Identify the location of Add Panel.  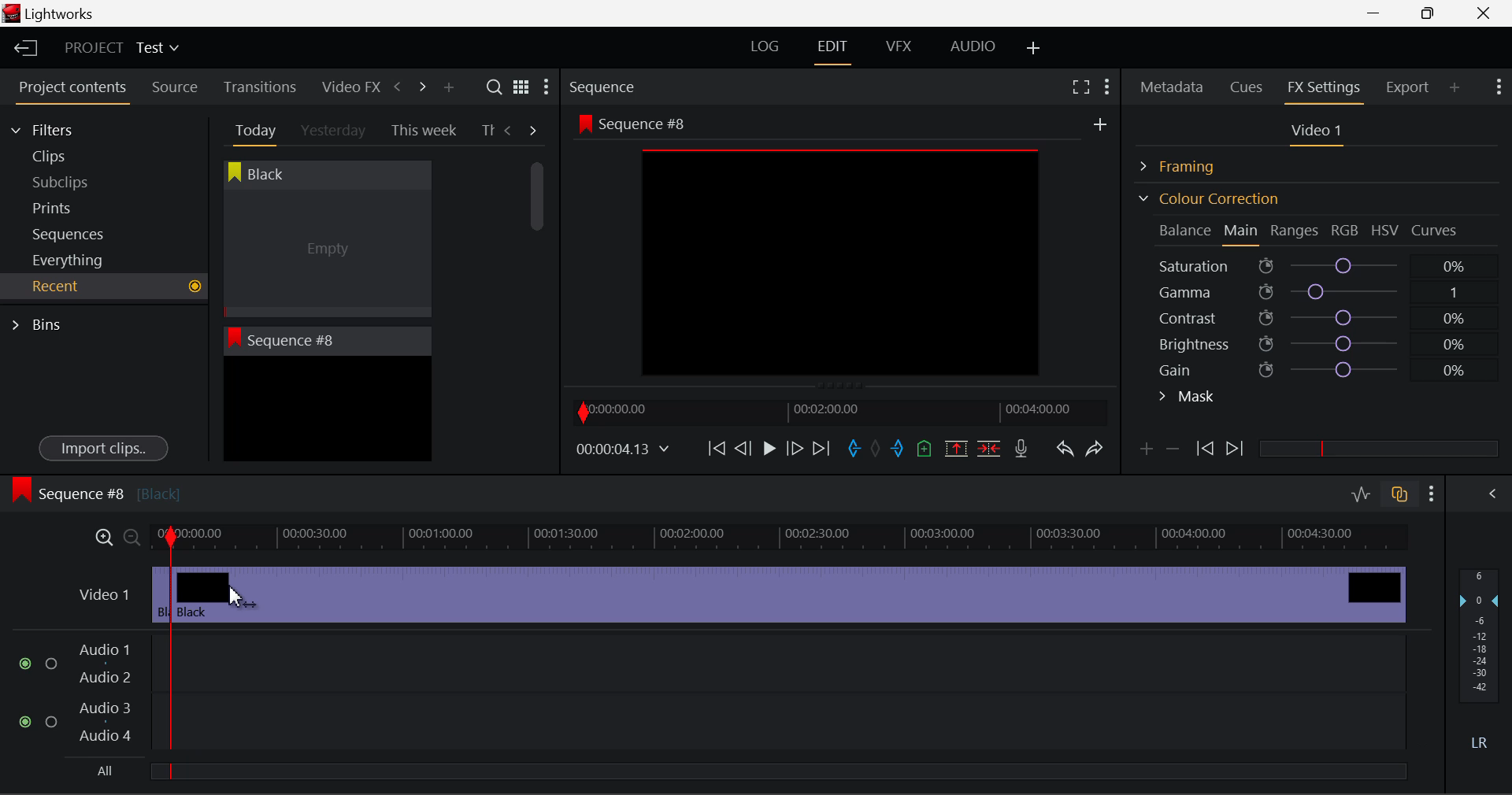
(1455, 87).